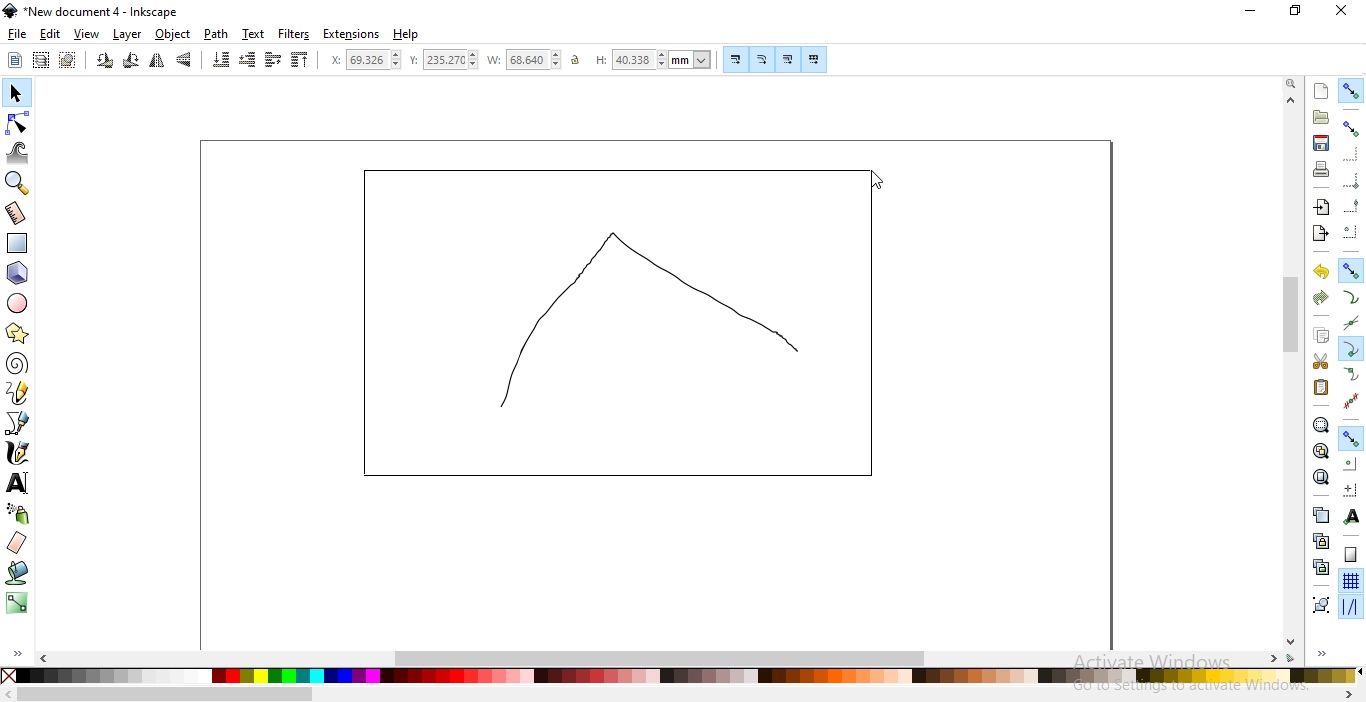  What do you see at coordinates (220, 59) in the screenshot?
I see `lower selection to bottom` at bounding box center [220, 59].